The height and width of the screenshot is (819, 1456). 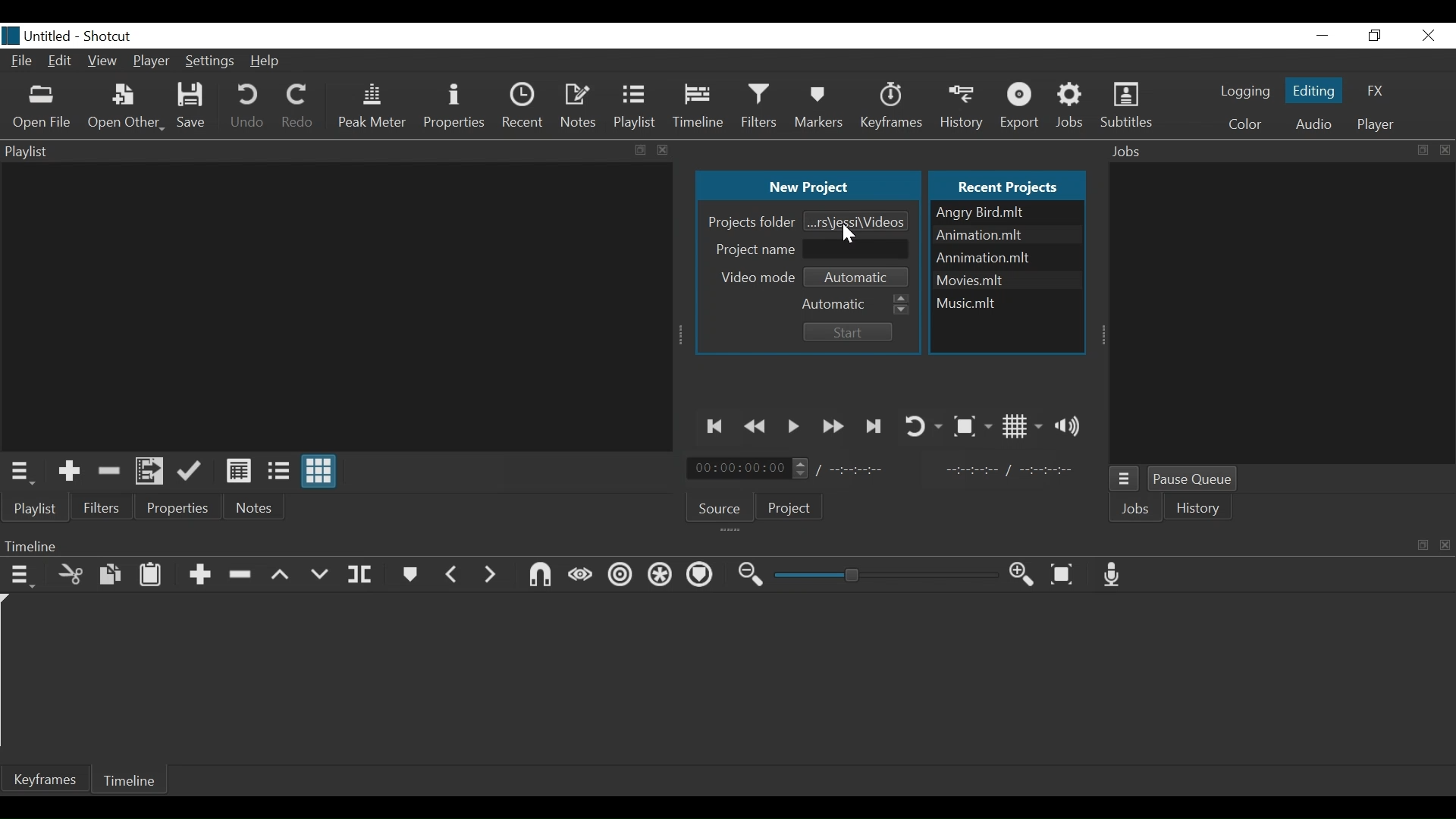 I want to click on Paste, so click(x=151, y=574).